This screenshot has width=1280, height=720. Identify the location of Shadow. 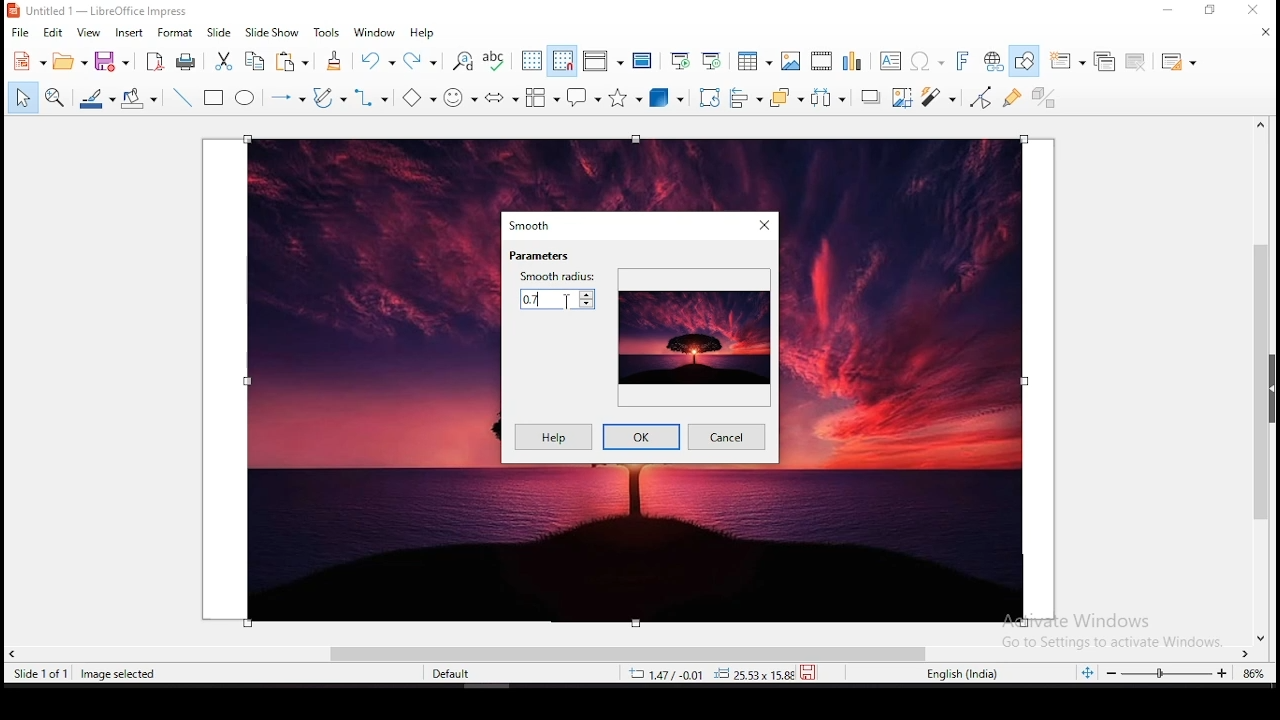
(870, 98).